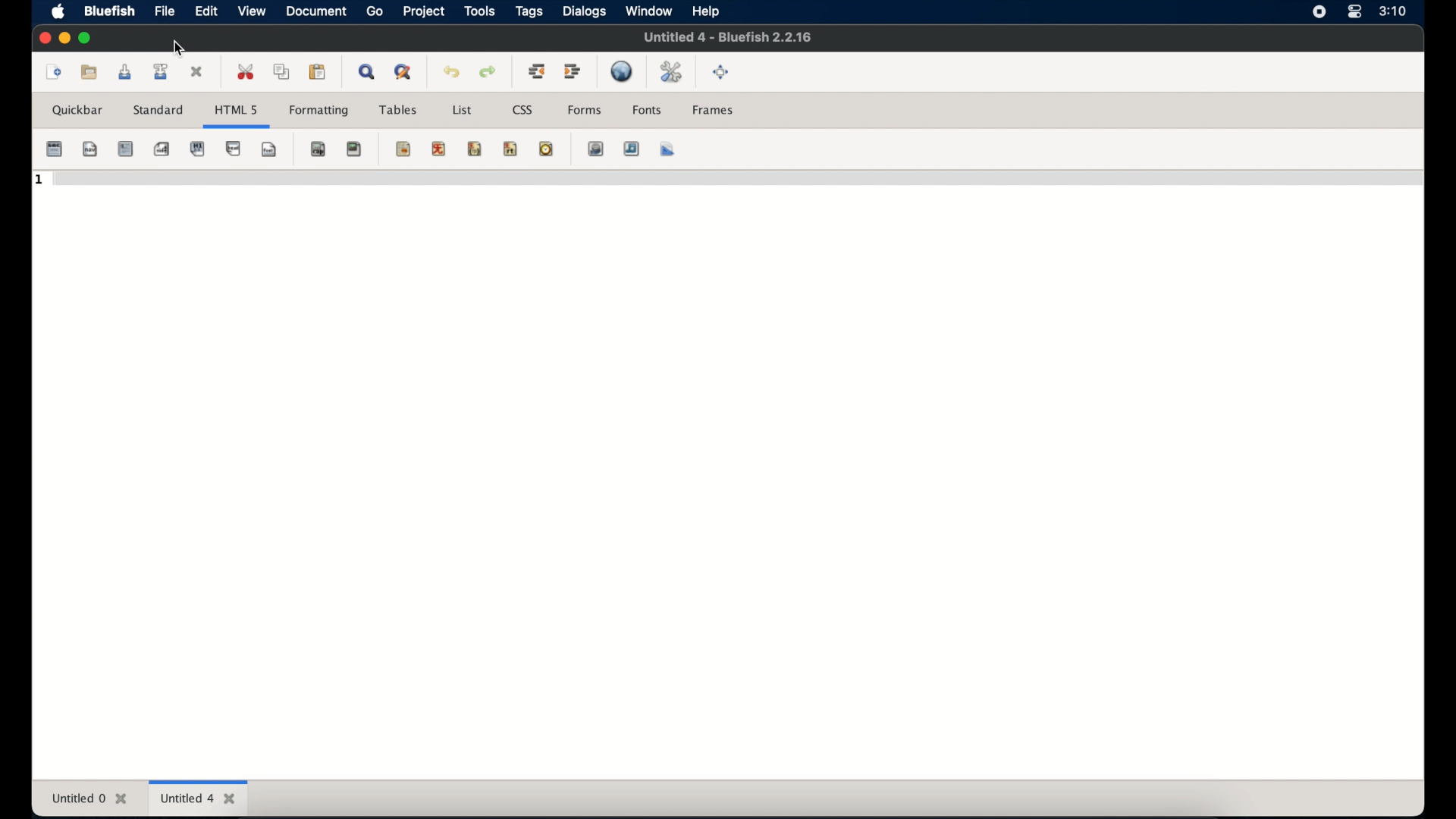 This screenshot has width=1456, height=819. Describe the element at coordinates (1319, 13) in the screenshot. I see `screen recorder icon` at that location.